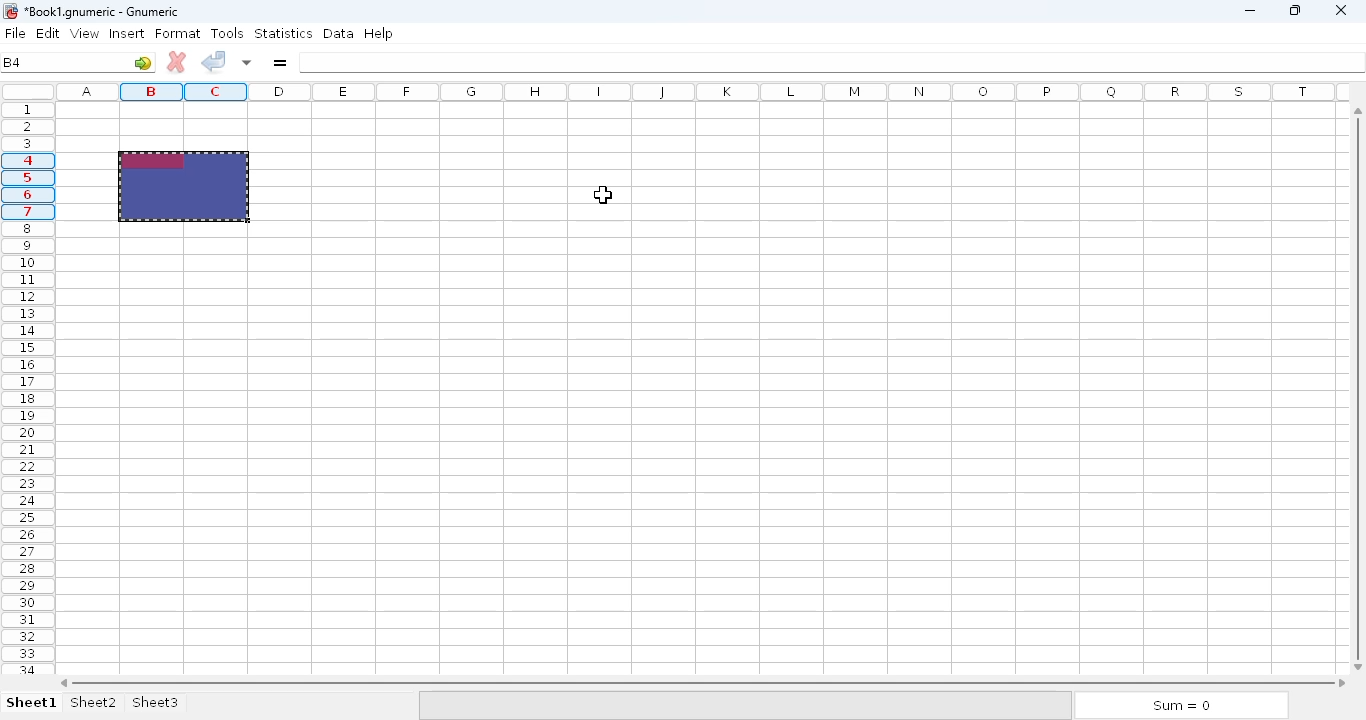 The height and width of the screenshot is (720, 1366). I want to click on edit, so click(49, 32).